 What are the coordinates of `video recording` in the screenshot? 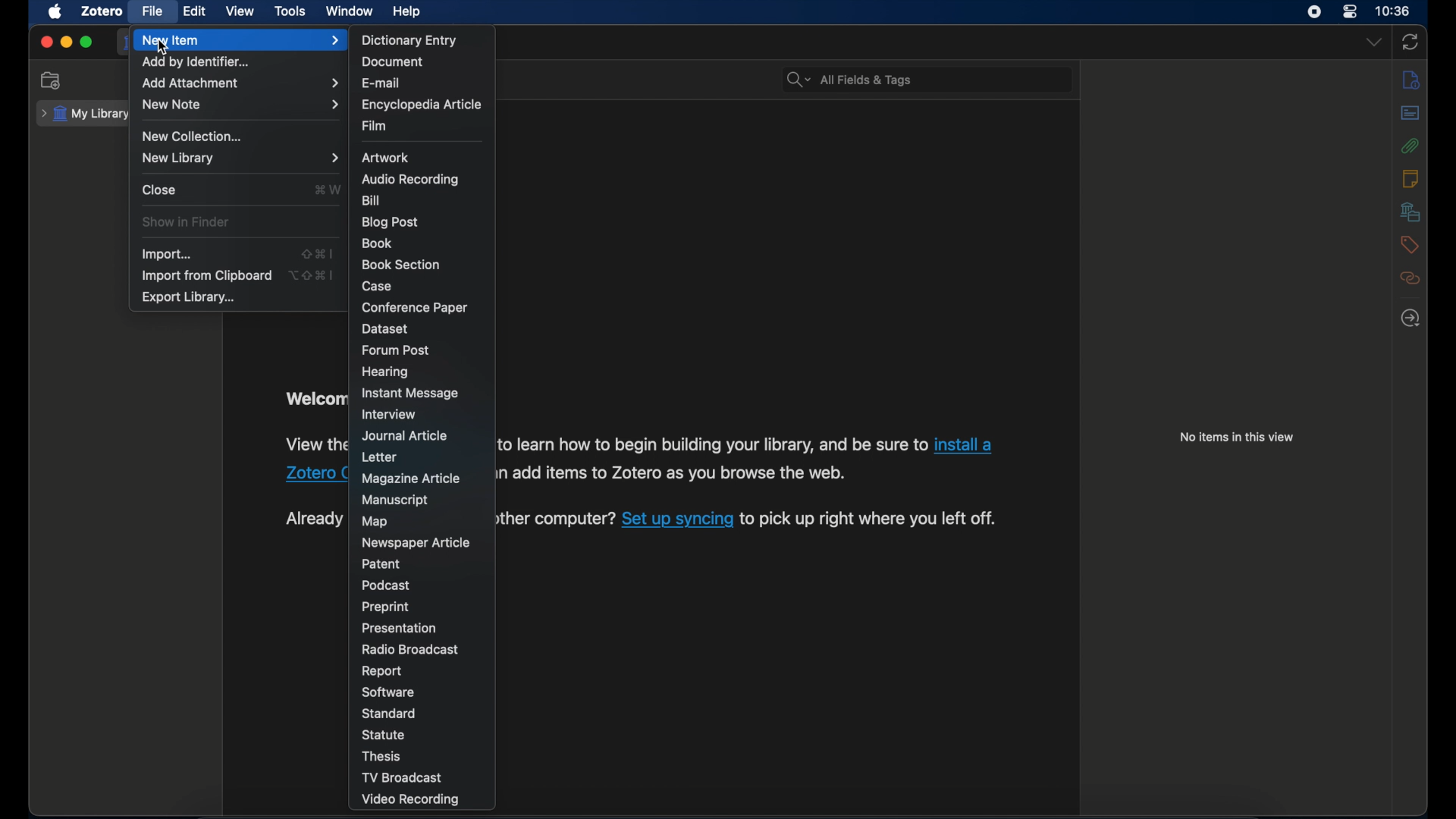 It's located at (413, 801).